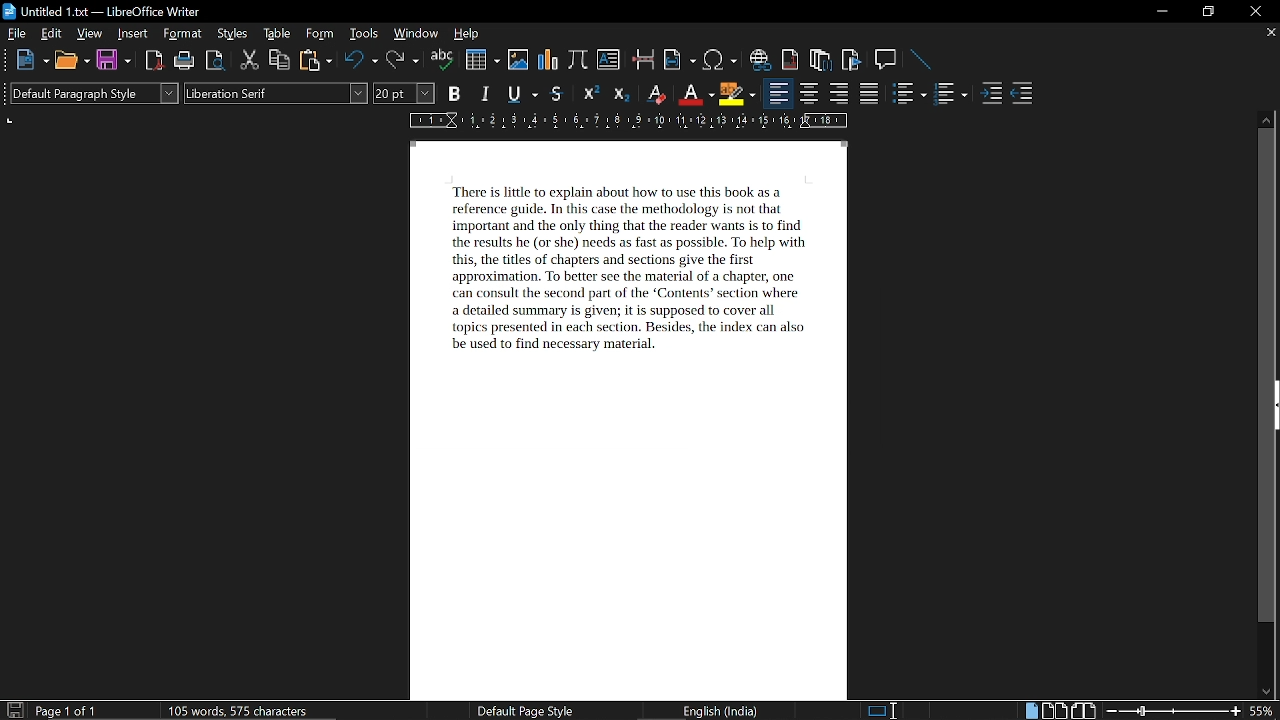  I want to click on new, so click(30, 60).